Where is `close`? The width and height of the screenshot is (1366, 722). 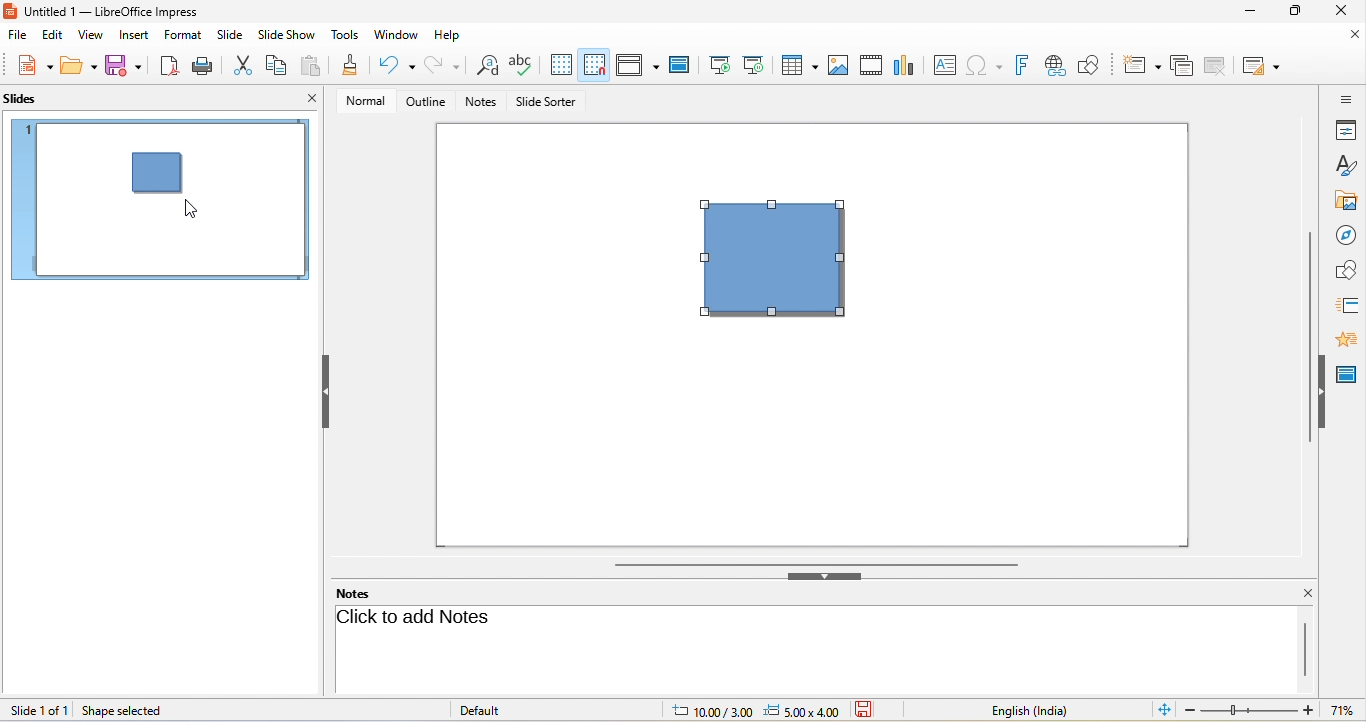 close is located at coordinates (1299, 593).